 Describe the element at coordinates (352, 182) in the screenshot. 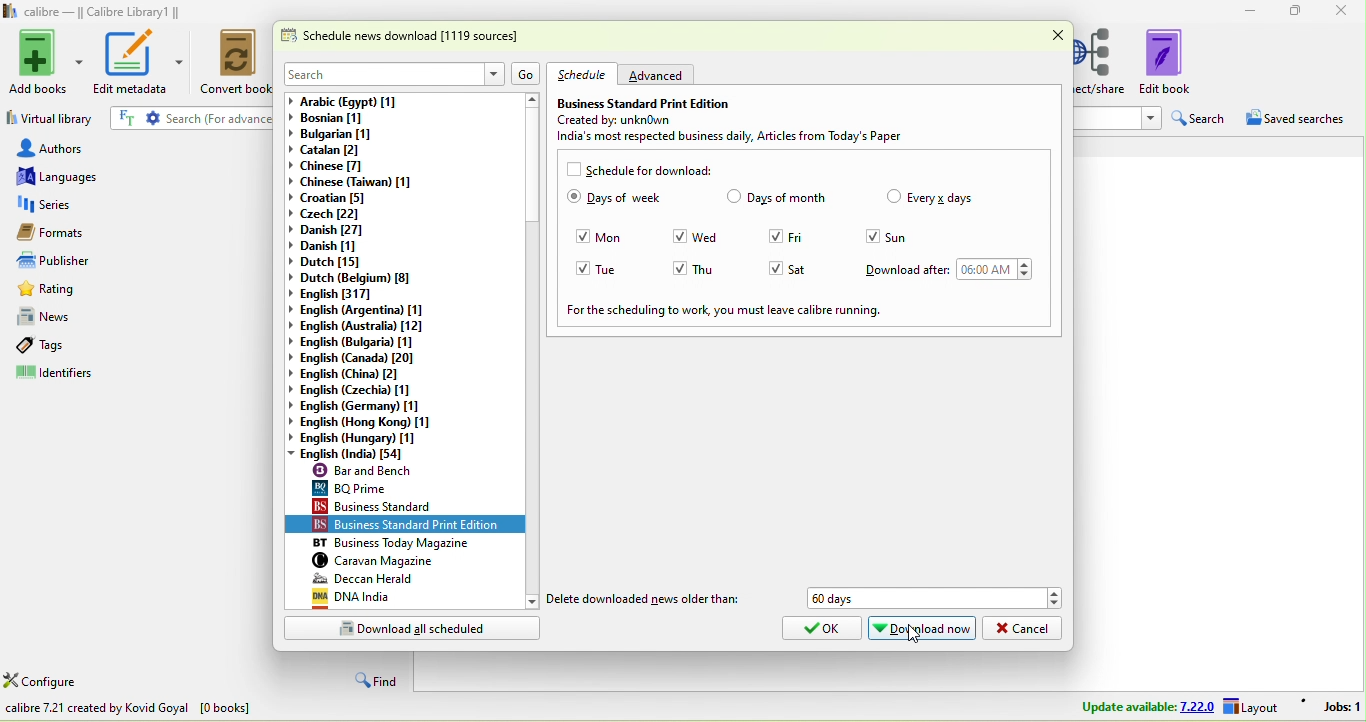

I see `chinese(taiwan)[1]` at that location.